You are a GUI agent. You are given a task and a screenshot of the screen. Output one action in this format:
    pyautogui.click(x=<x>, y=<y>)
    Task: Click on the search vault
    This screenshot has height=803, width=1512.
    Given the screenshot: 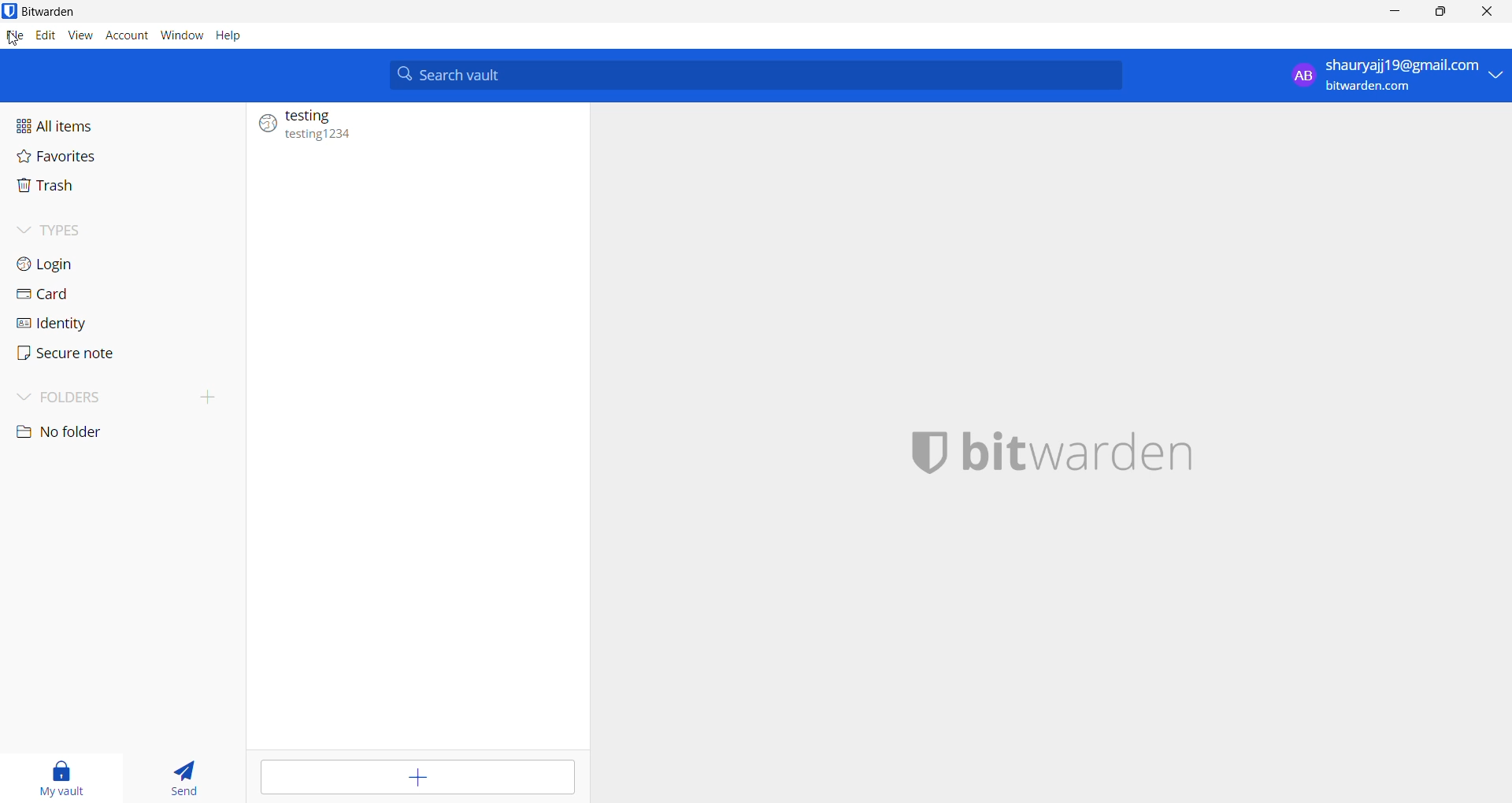 What is the action you would take?
    pyautogui.click(x=754, y=76)
    